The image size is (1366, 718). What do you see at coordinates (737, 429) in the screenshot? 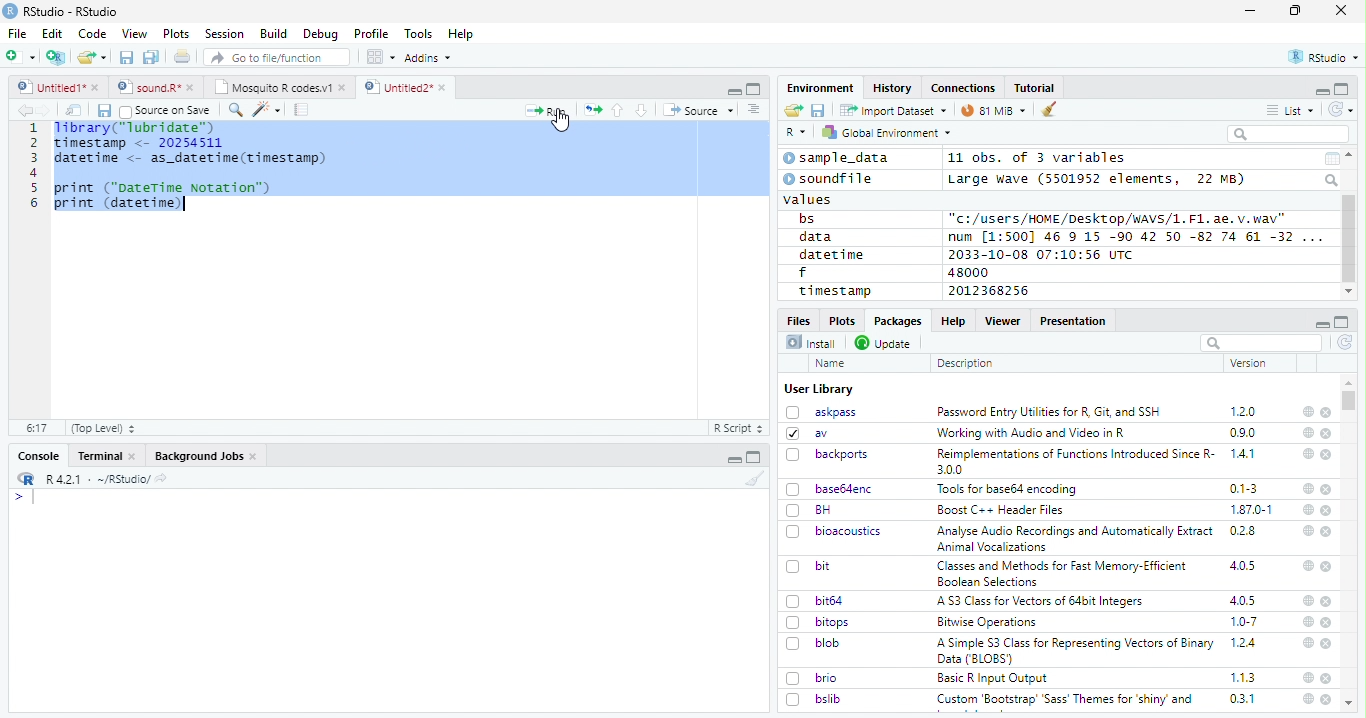
I see `R Script` at bounding box center [737, 429].